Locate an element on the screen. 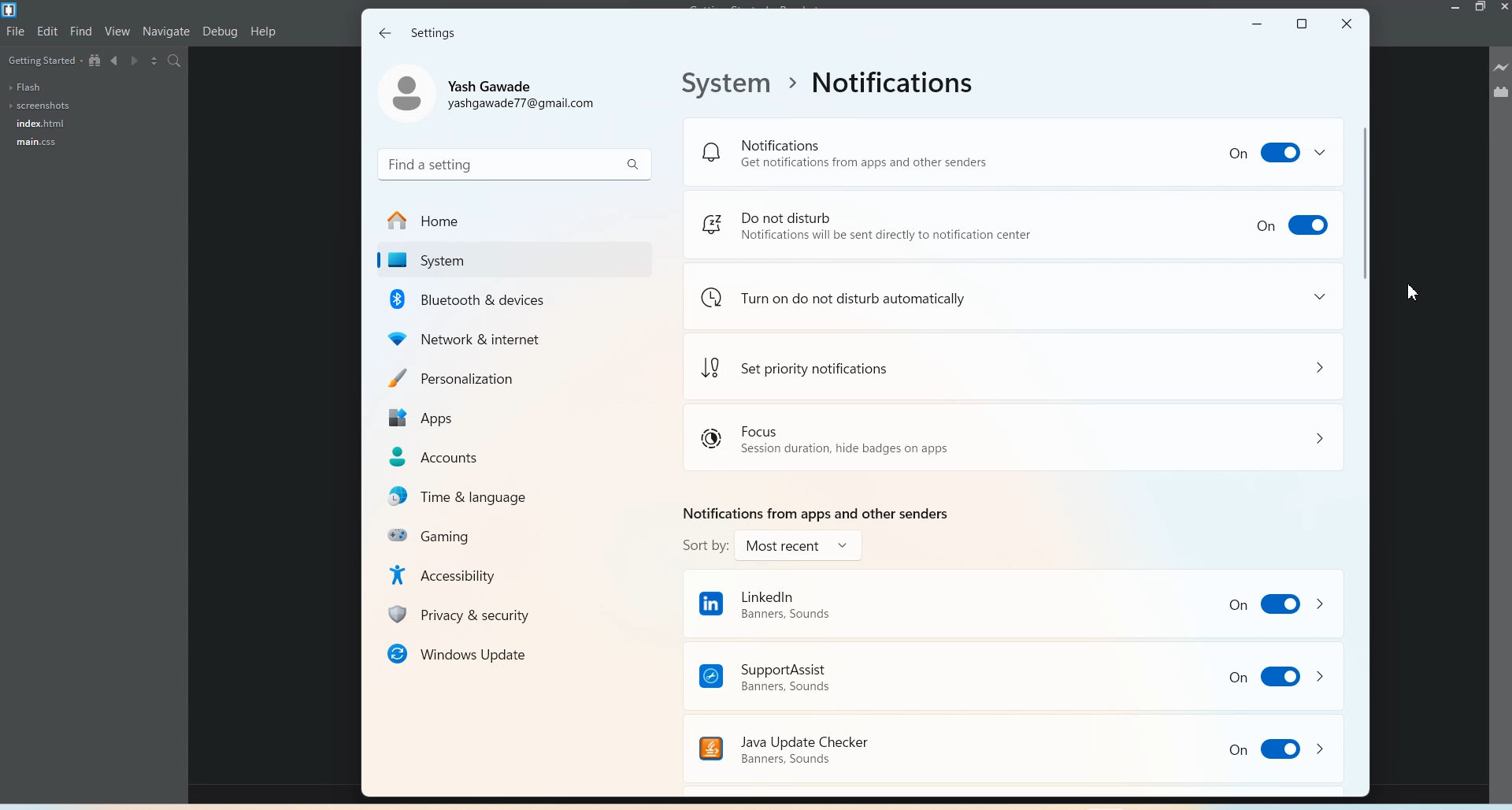 This screenshot has height=810, width=1512. Minimize is located at coordinates (1455, 9).